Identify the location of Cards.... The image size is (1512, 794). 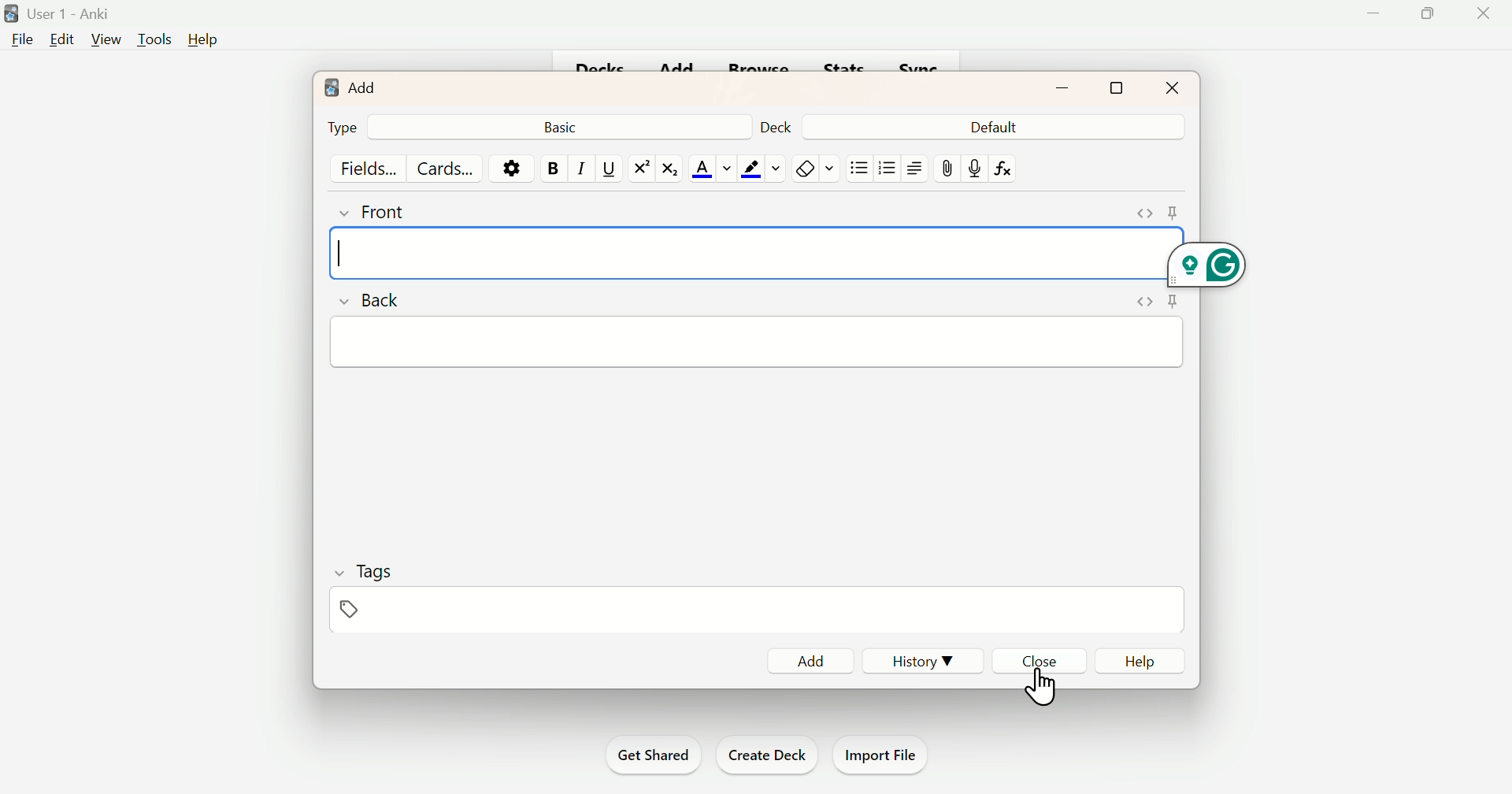
(442, 167).